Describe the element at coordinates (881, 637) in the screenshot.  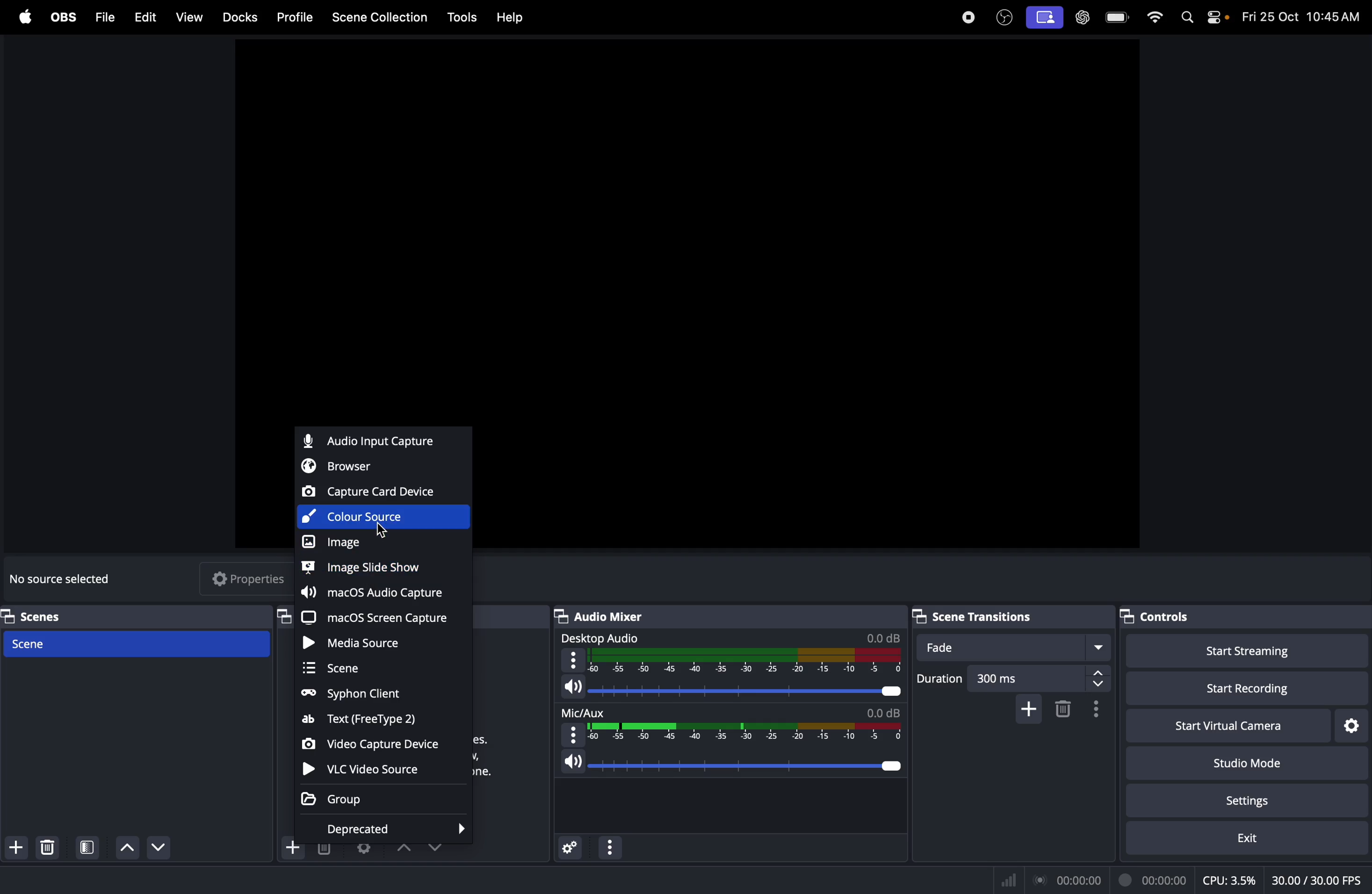
I see `db` at that location.